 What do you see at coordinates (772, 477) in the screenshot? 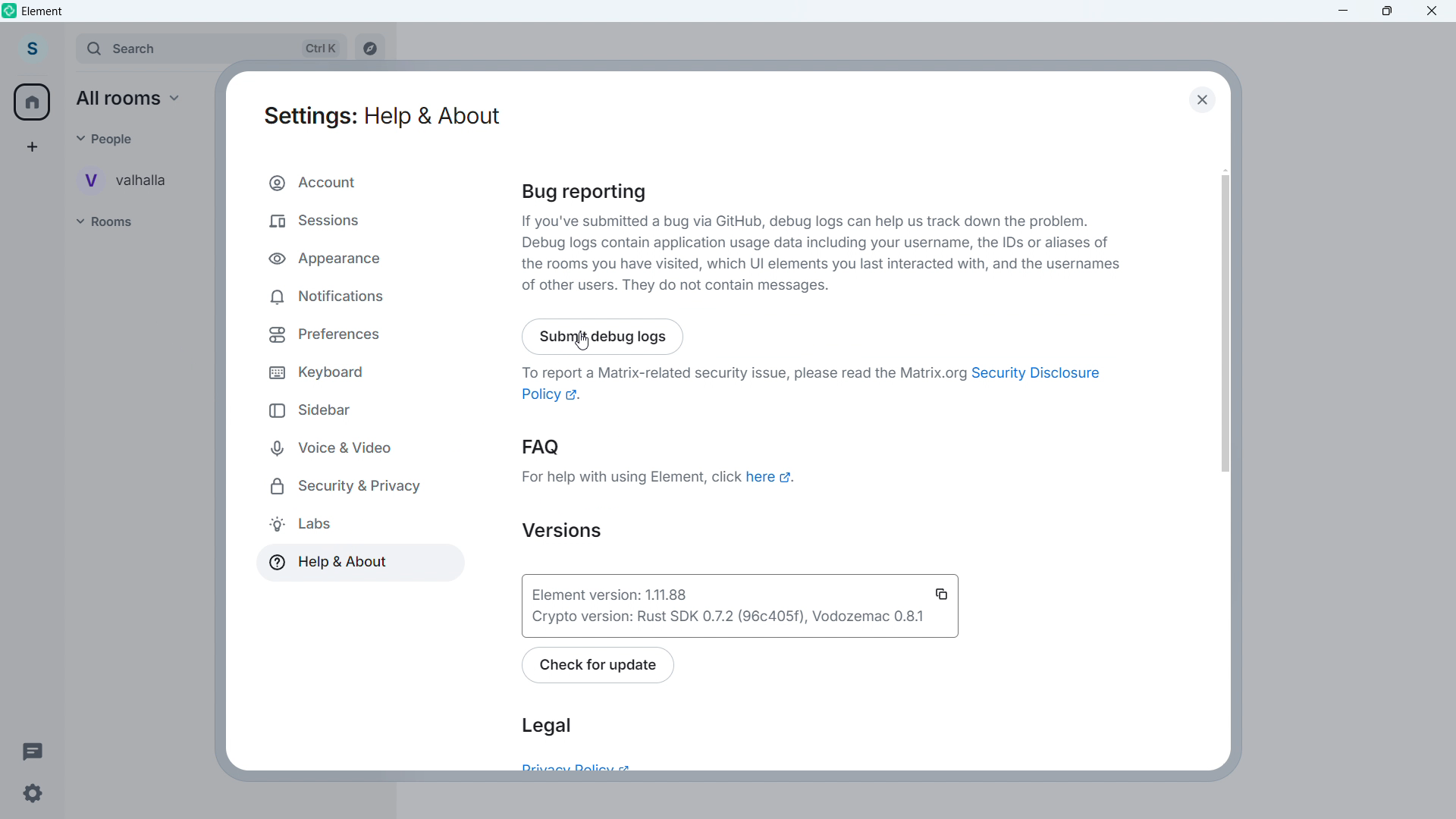
I see `F a Q ` at bounding box center [772, 477].